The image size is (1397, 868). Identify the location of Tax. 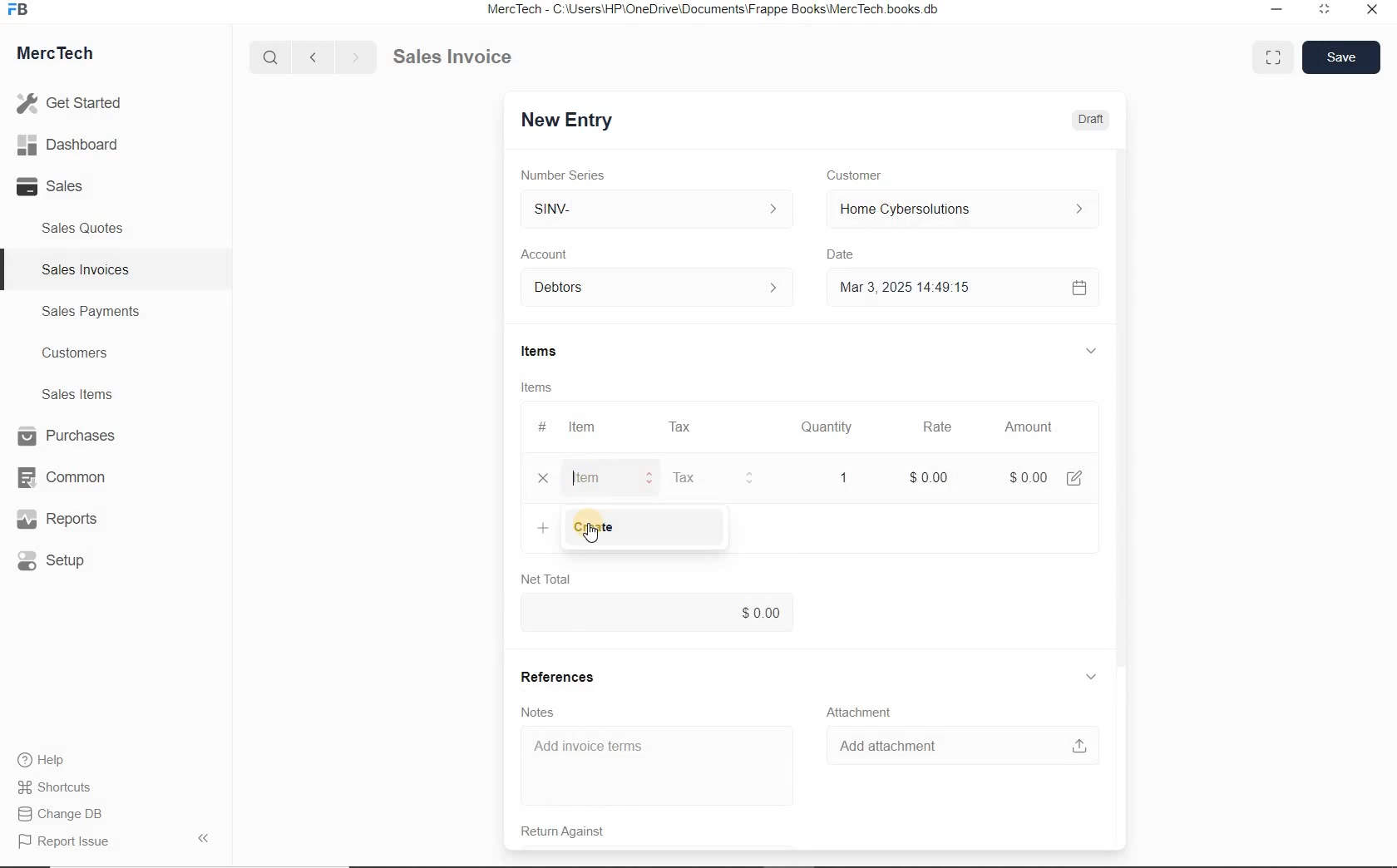
(714, 476).